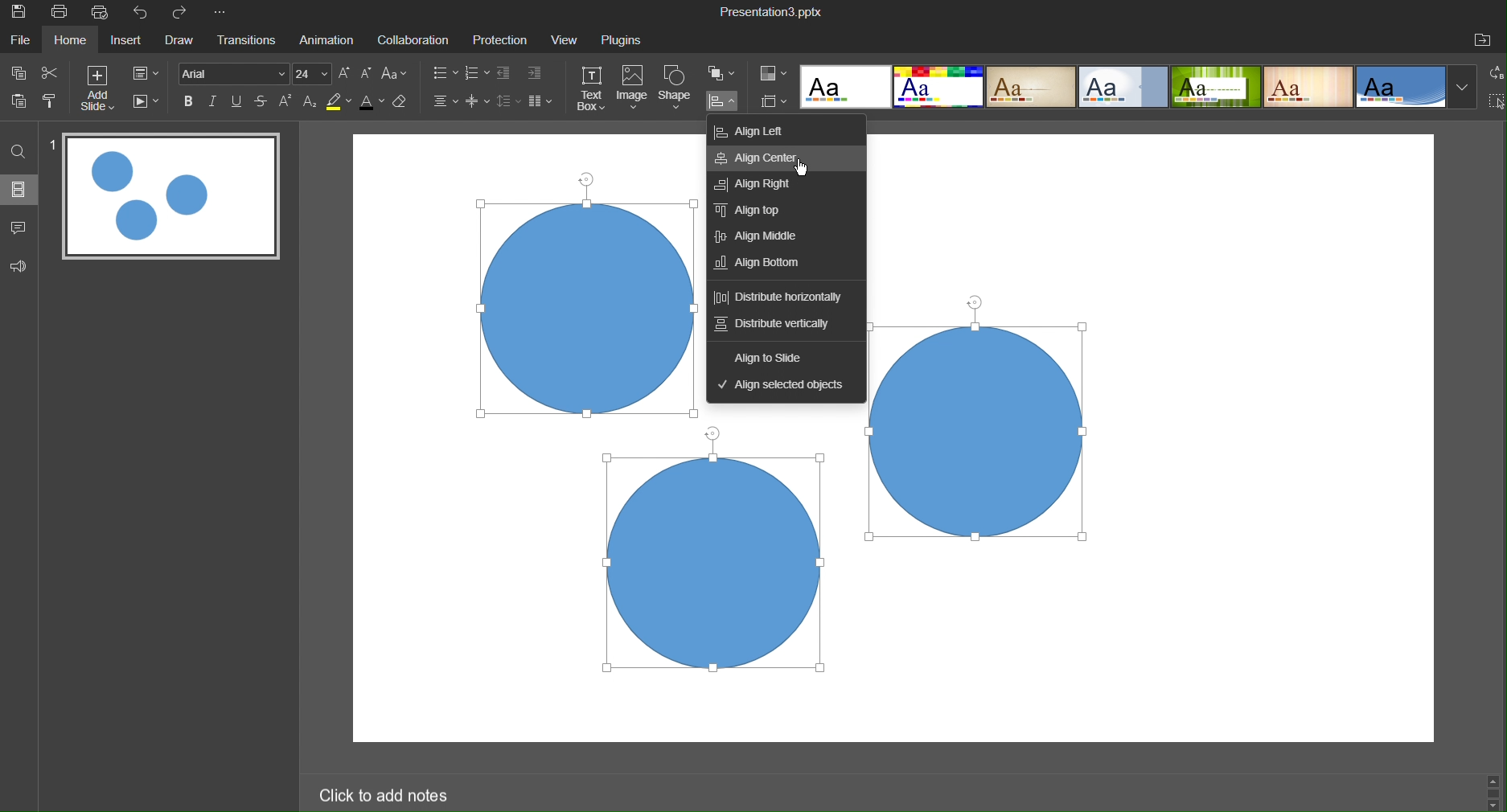  What do you see at coordinates (248, 42) in the screenshot?
I see `Transitions` at bounding box center [248, 42].